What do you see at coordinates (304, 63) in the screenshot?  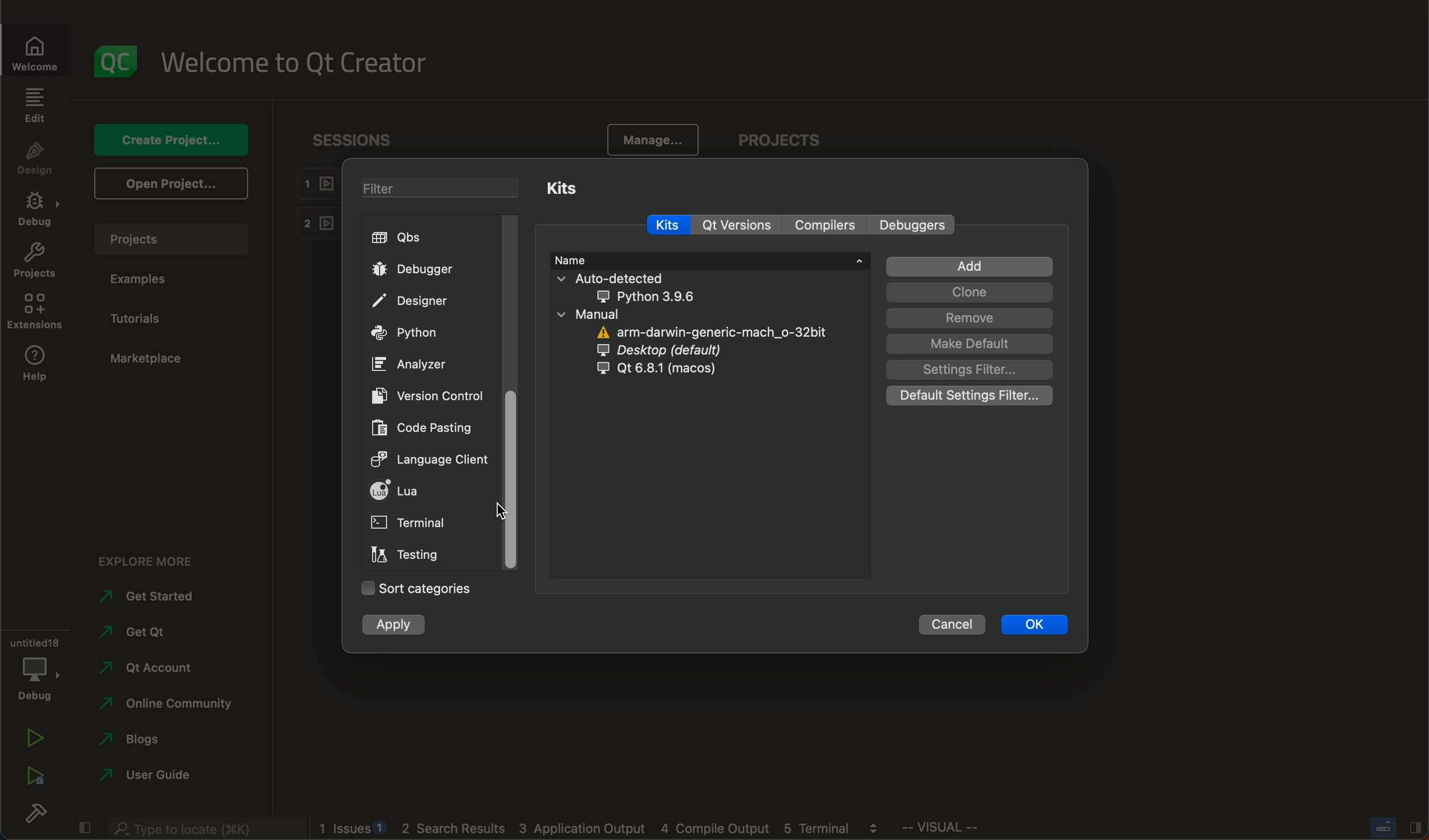 I see `welcome ` at bounding box center [304, 63].